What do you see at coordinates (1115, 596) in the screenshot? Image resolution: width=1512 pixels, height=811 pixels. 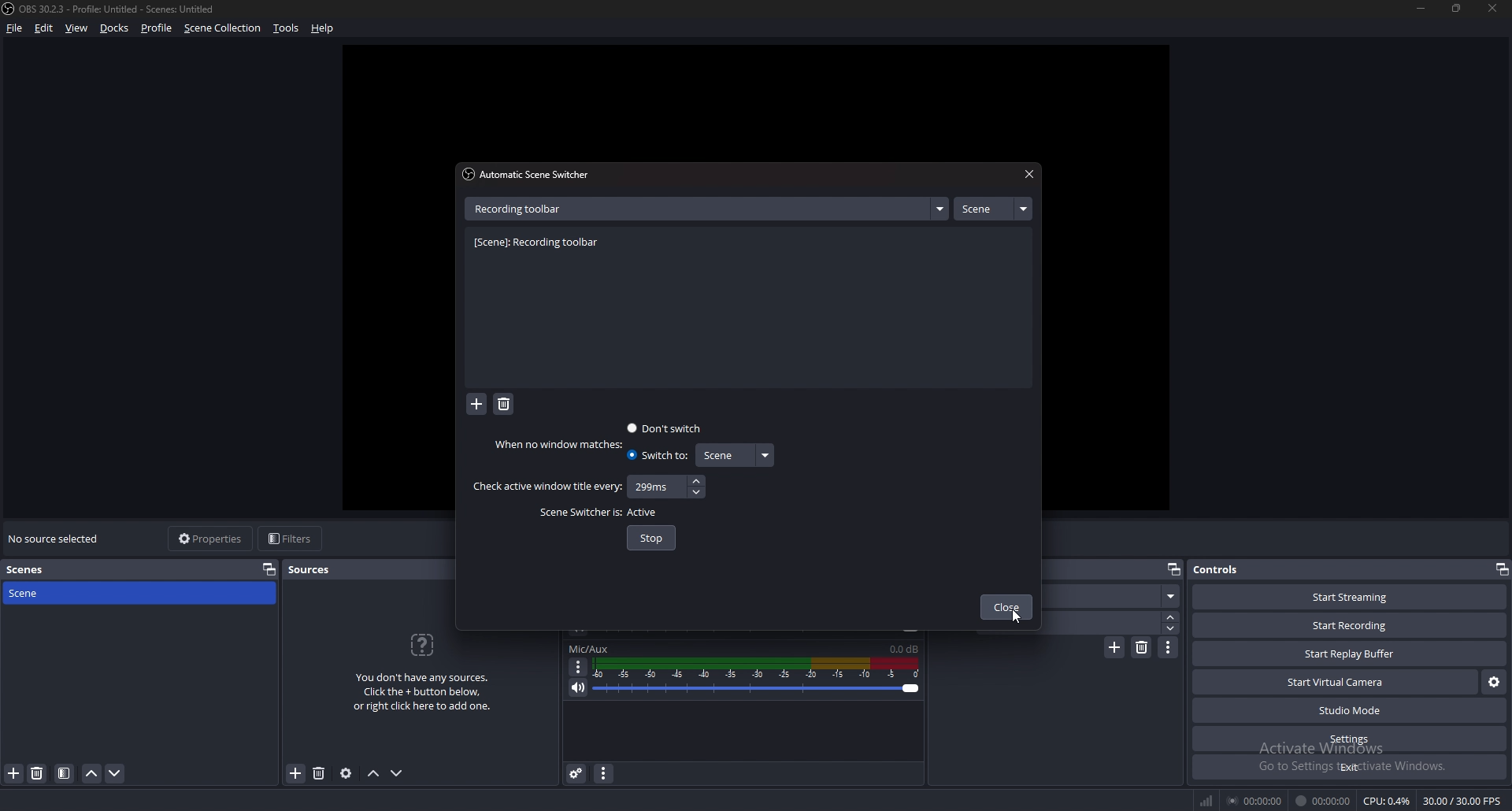 I see `swipe` at bounding box center [1115, 596].